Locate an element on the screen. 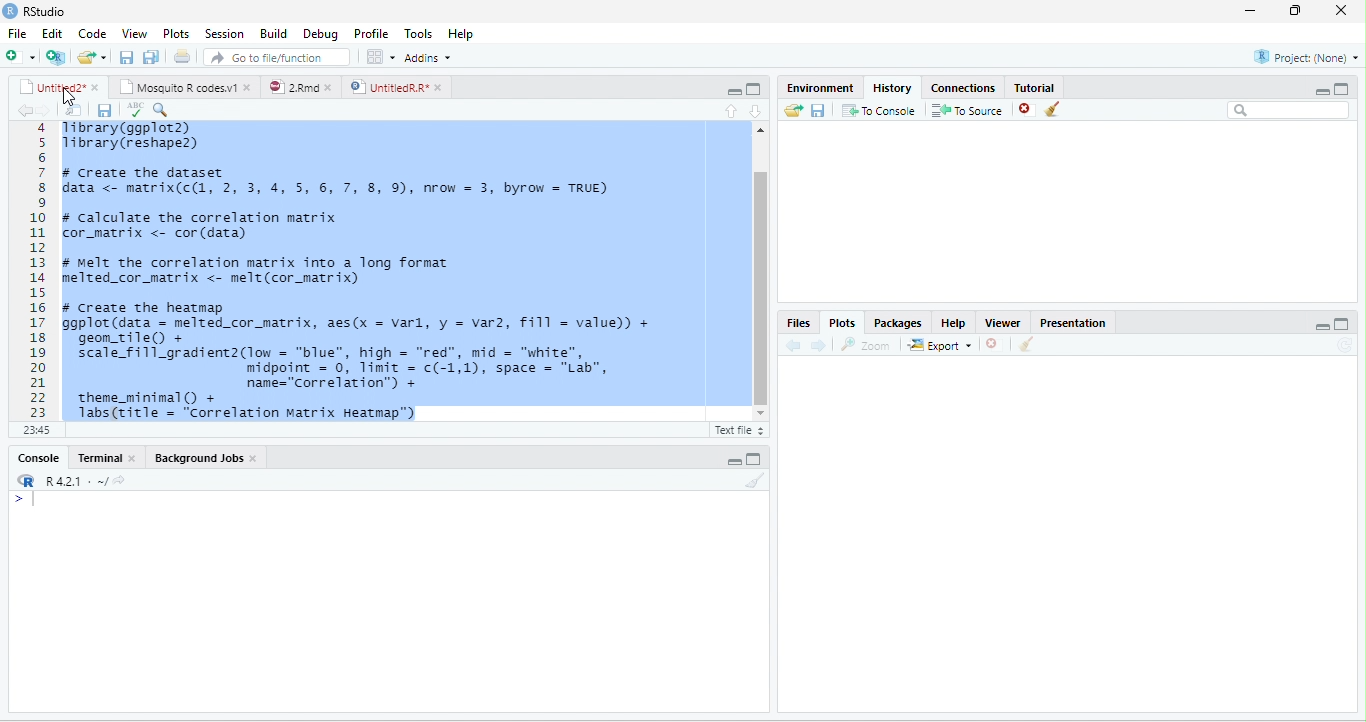 This screenshot has height=722, width=1366. history is located at coordinates (890, 86).